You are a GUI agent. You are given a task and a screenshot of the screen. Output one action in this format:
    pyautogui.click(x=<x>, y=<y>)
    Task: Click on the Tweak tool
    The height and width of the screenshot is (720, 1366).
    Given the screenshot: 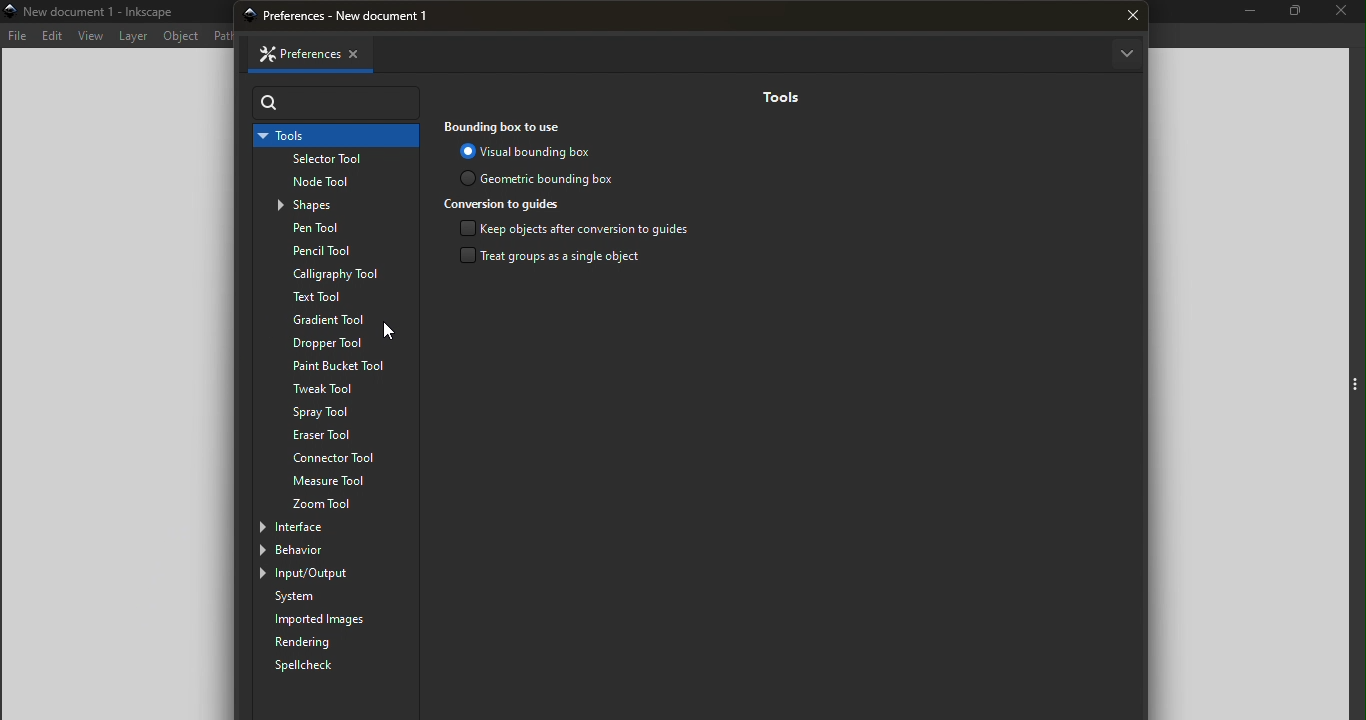 What is the action you would take?
    pyautogui.click(x=331, y=390)
    